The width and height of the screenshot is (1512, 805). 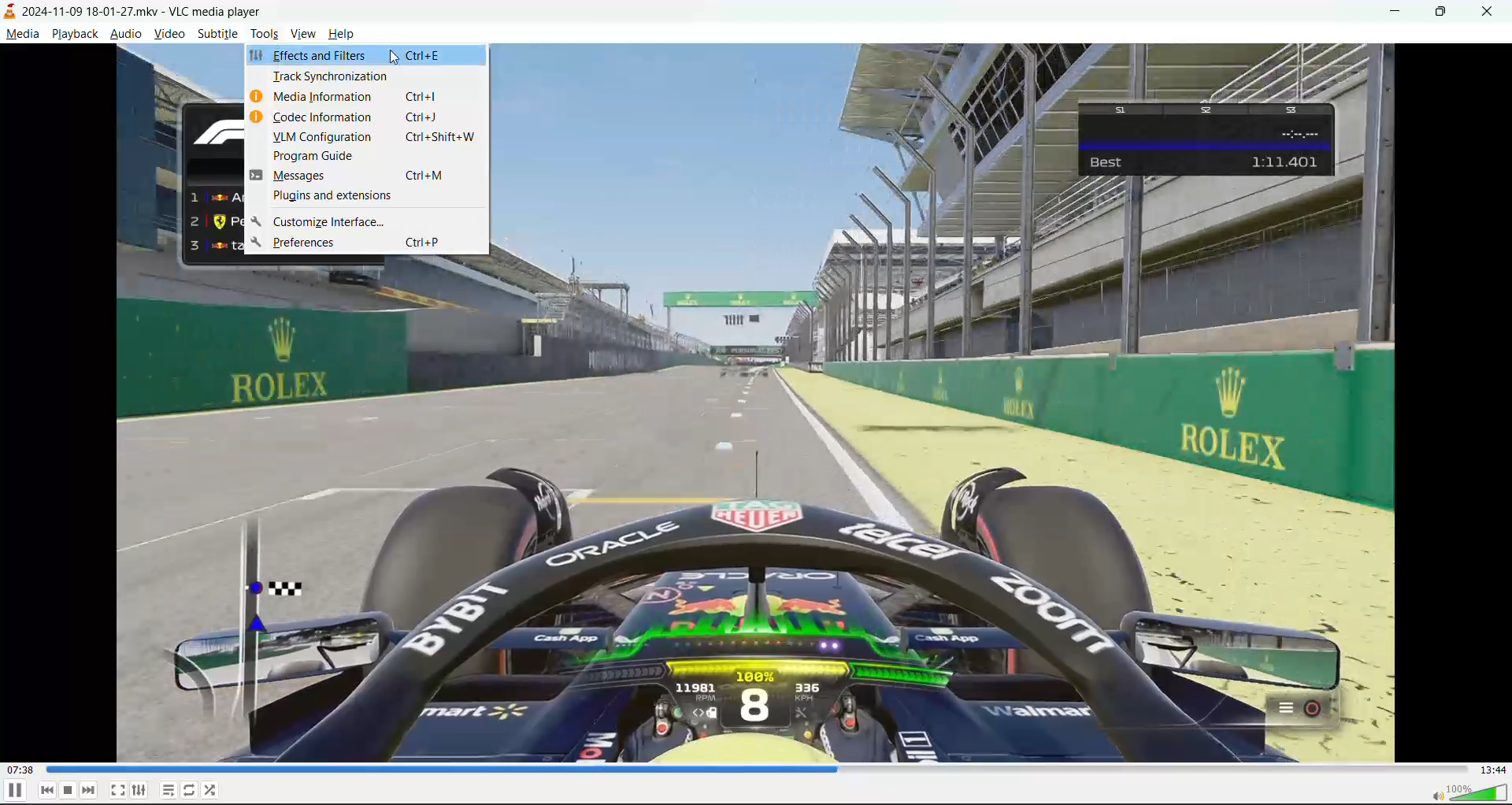 I want to click on maximize, so click(x=1444, y=14).